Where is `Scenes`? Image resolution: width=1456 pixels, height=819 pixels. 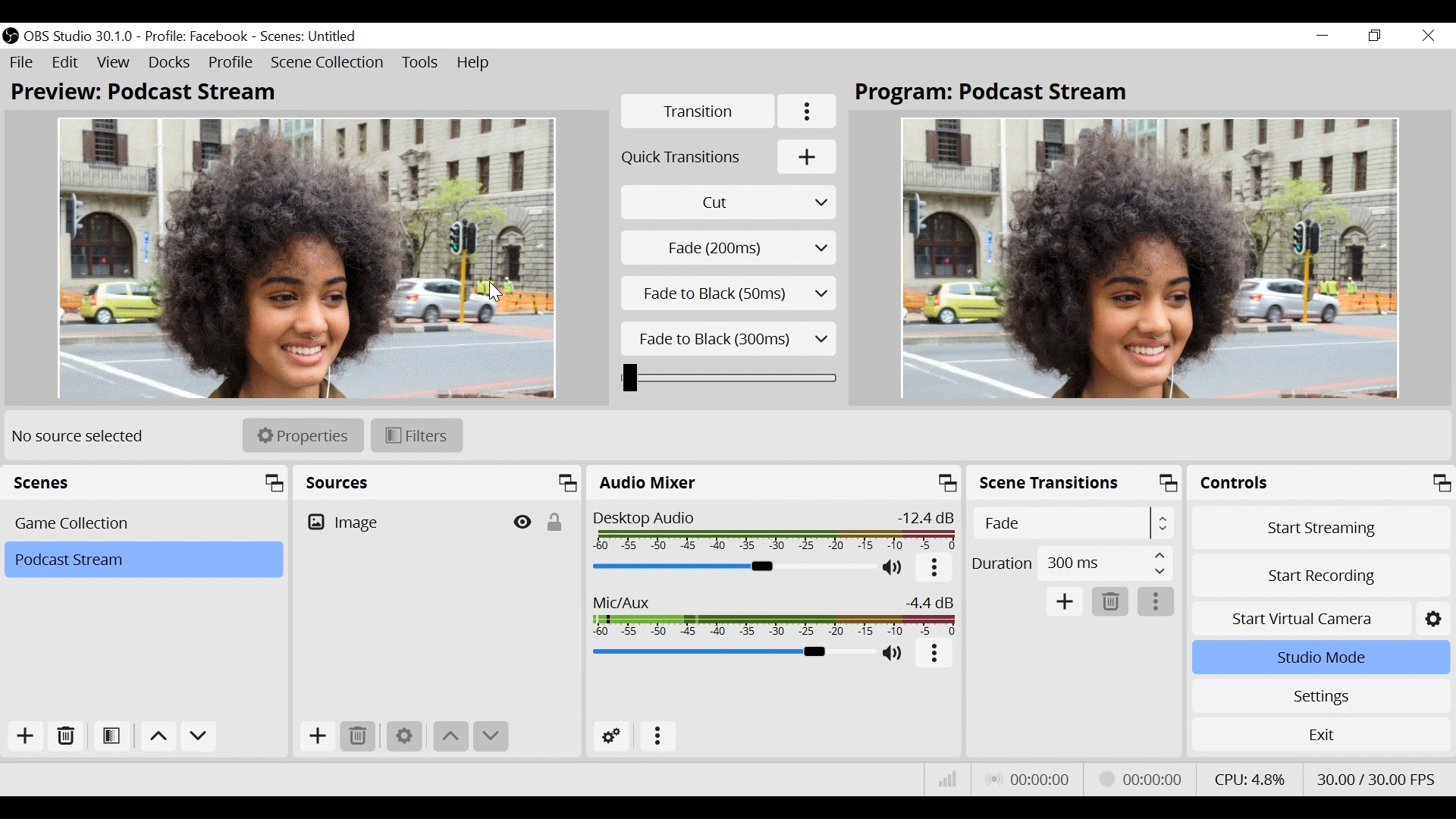 Scenes is located at coordinates (146, 482).